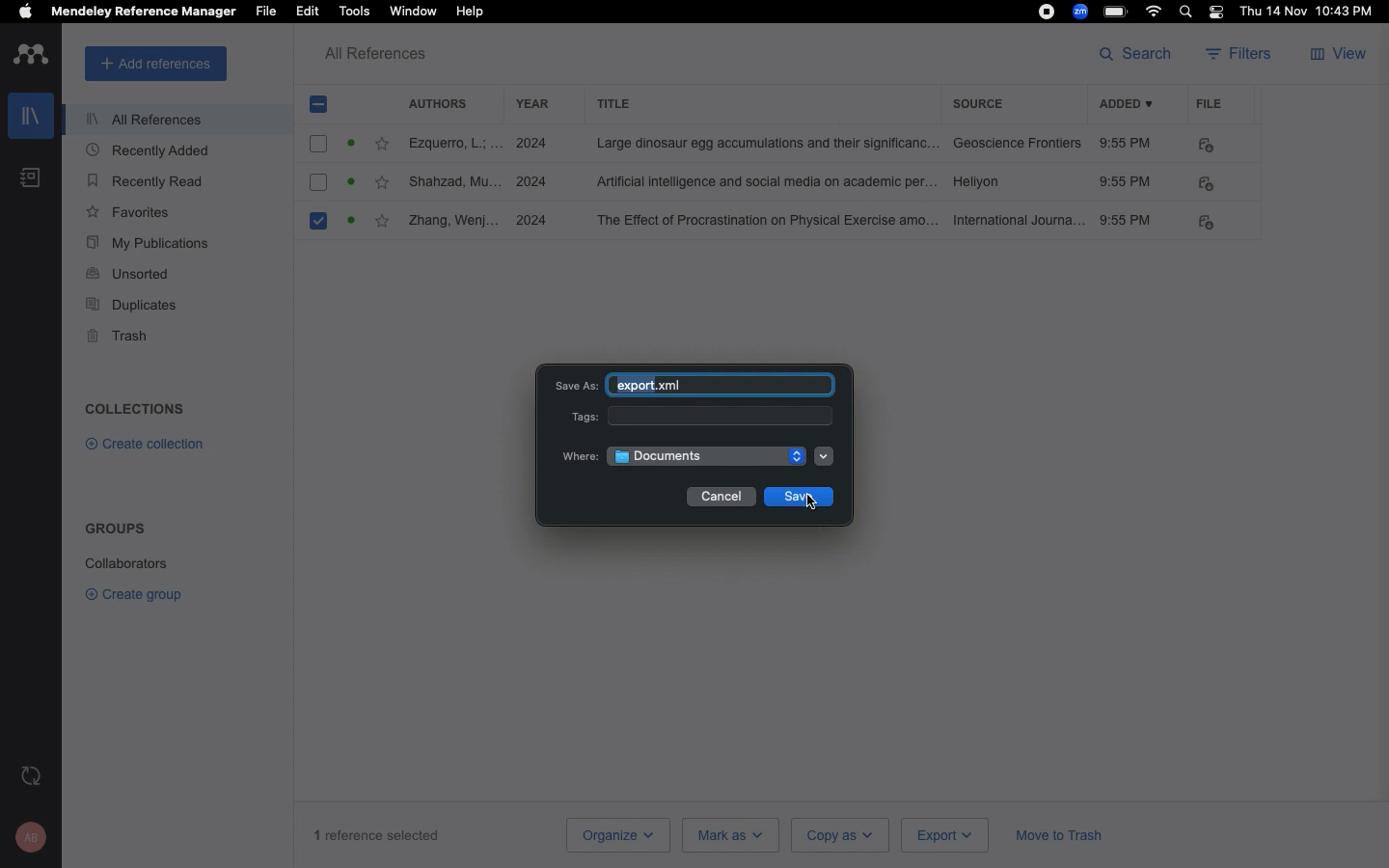 Image resolution: width=1389 pixels, height=868 pixels. Describe the element at coordinates (128, 273) in the screenshot. I see `Unsorted` at that location.